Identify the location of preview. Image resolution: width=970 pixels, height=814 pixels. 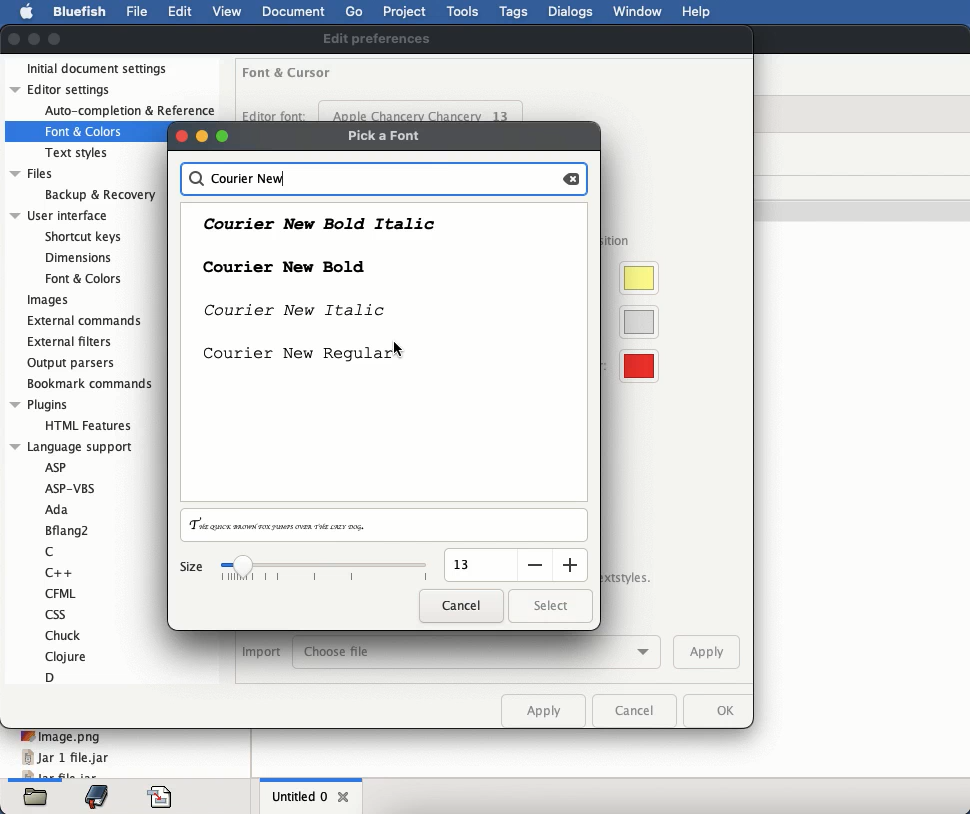
(286, 527).